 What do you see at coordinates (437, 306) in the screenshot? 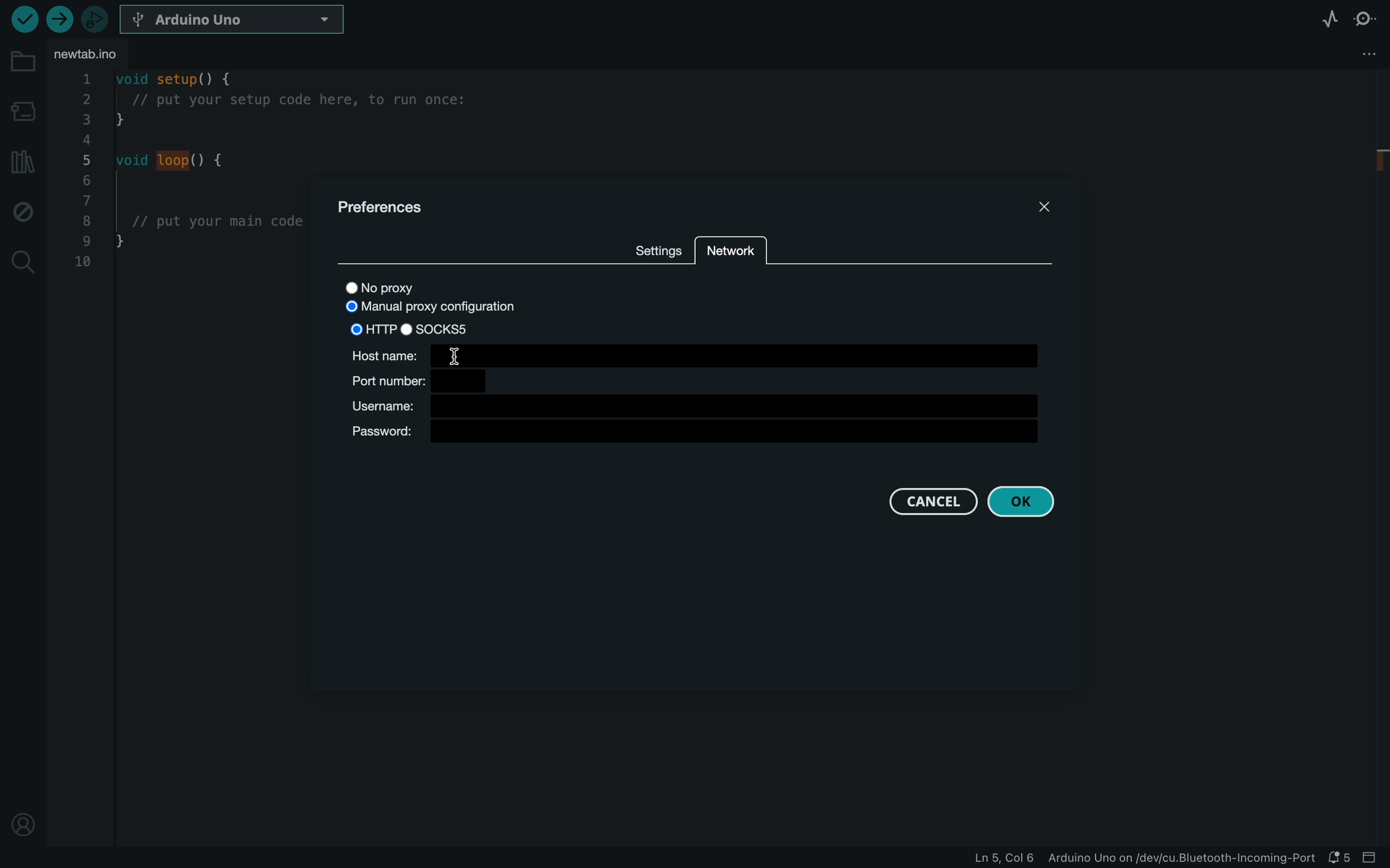
I see `MANUAL PROXY` at bounding box center [437, 306].